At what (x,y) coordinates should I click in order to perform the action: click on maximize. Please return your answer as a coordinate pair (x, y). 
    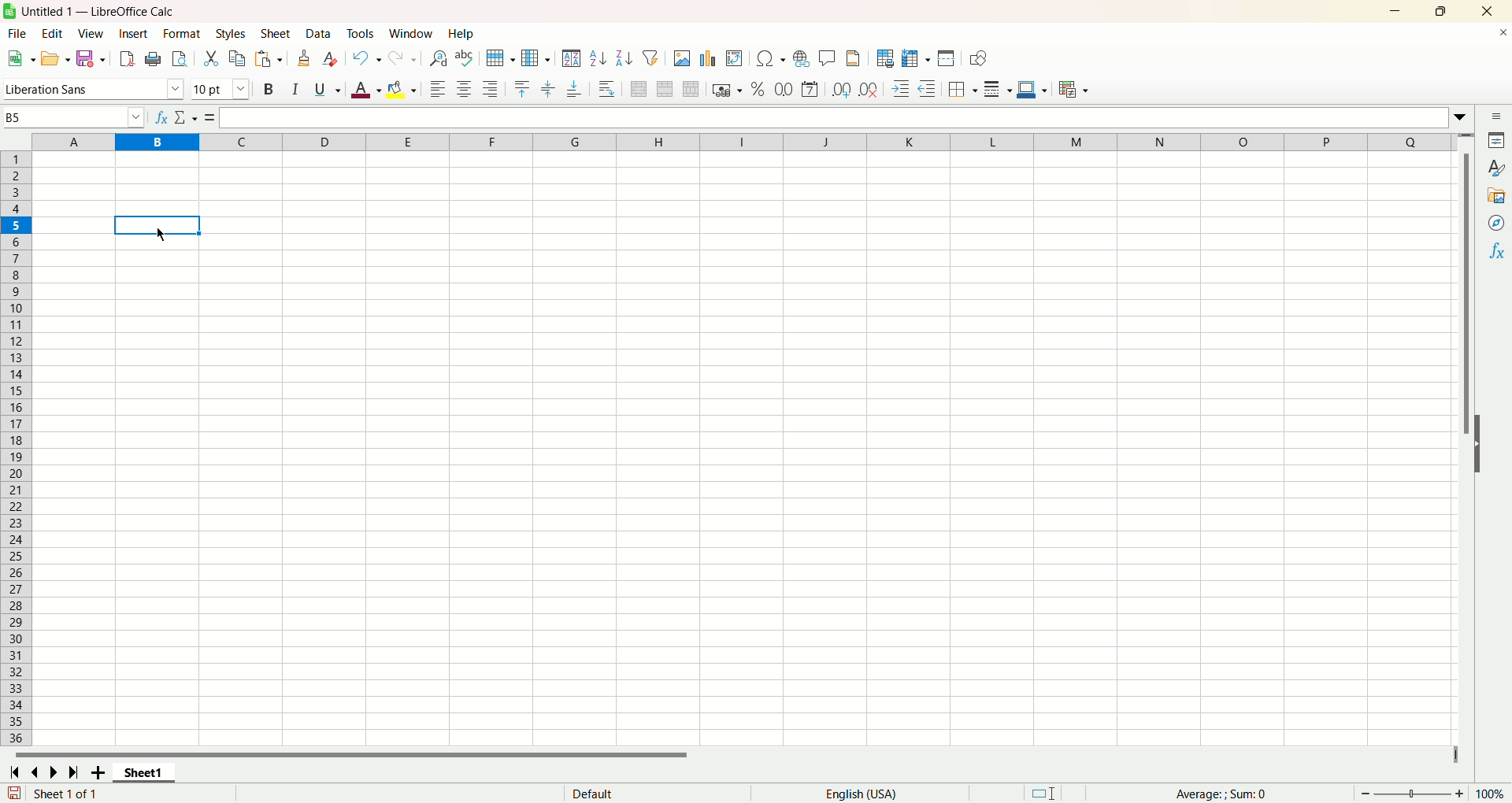
    Looking at the image, I should click on (1439, 13).